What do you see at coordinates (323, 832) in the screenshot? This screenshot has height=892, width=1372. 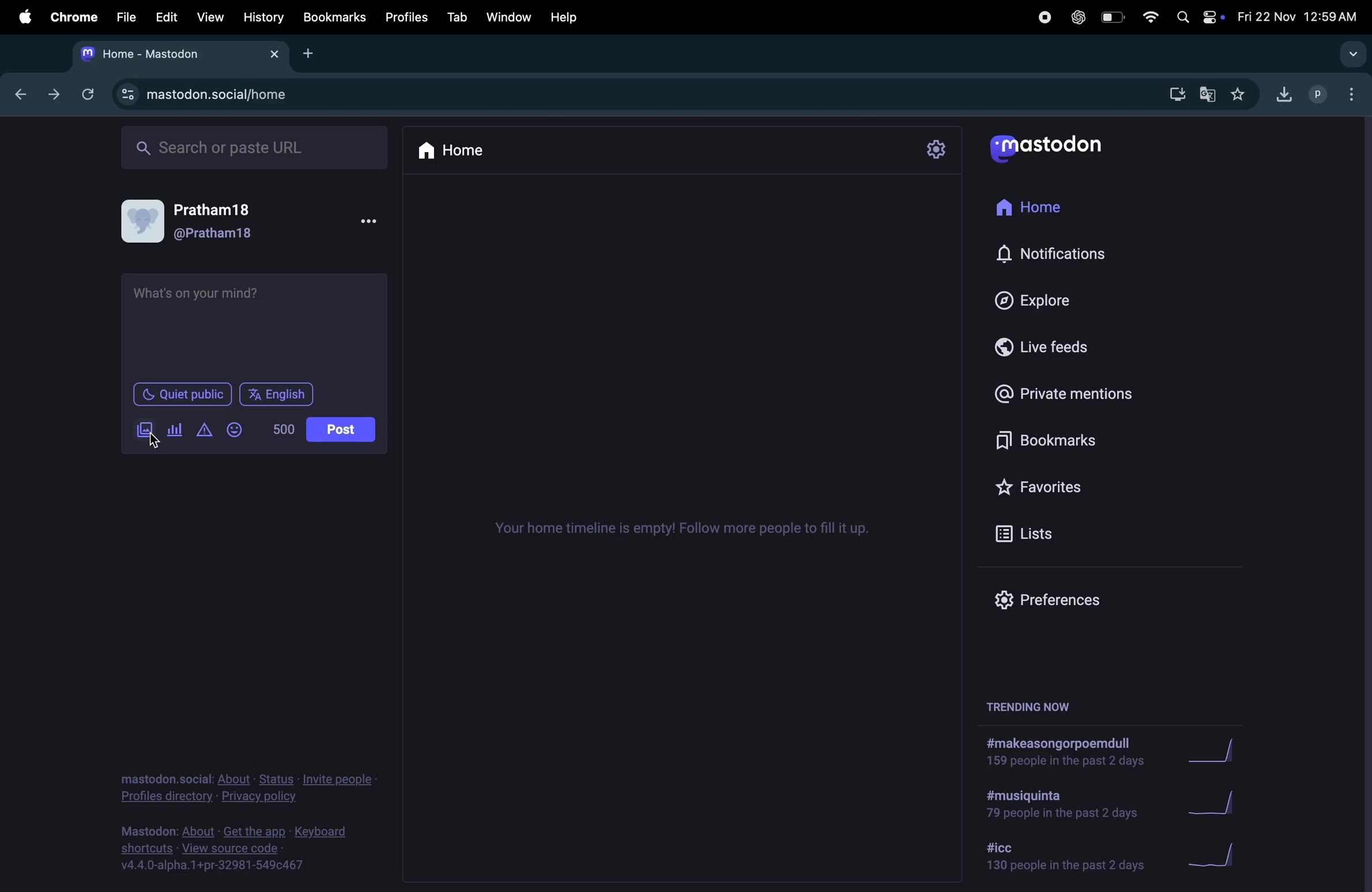 I see `keyboard` at bounding box center [323, 832].